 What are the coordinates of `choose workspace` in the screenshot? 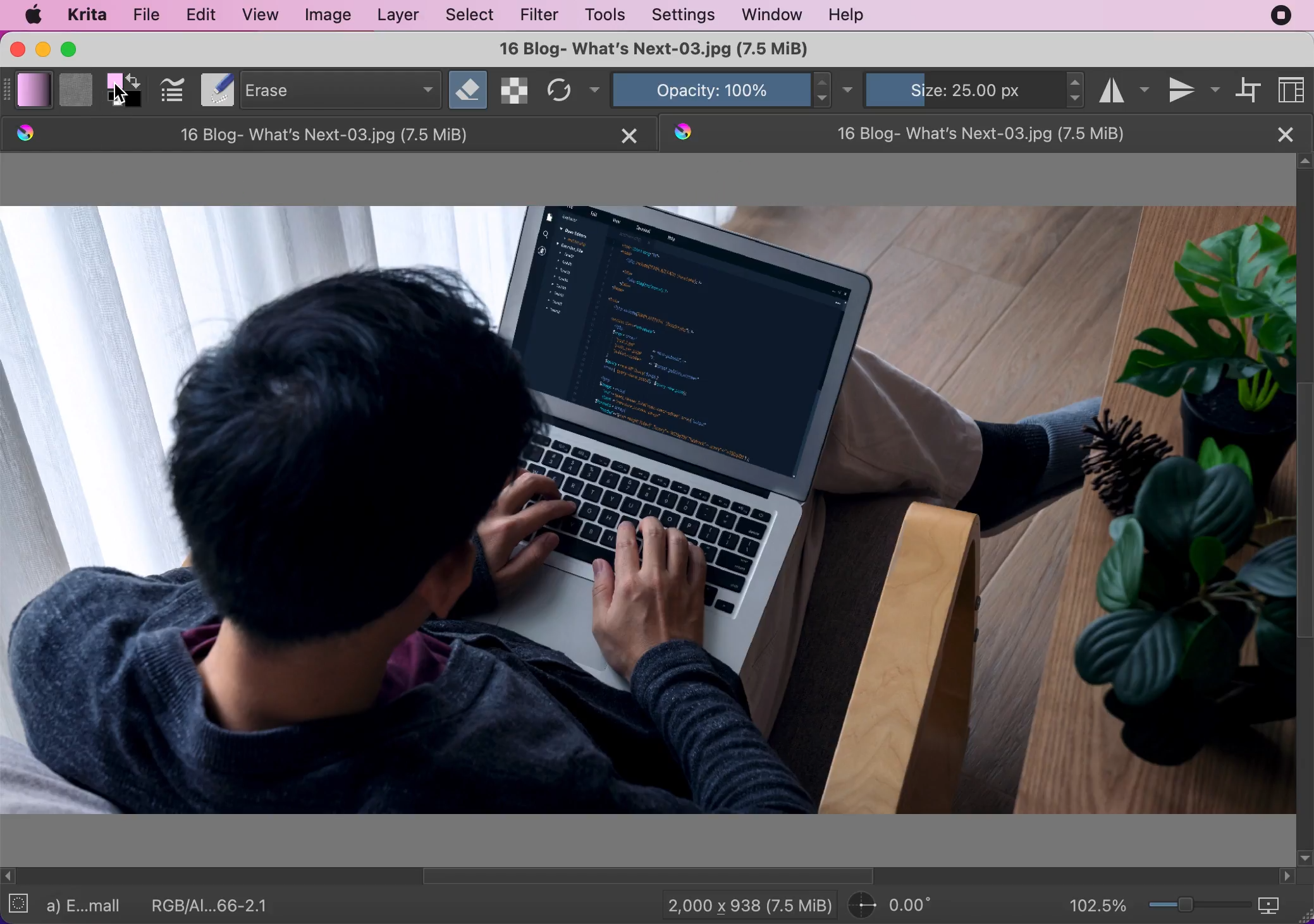 It's located at (1294, 88).